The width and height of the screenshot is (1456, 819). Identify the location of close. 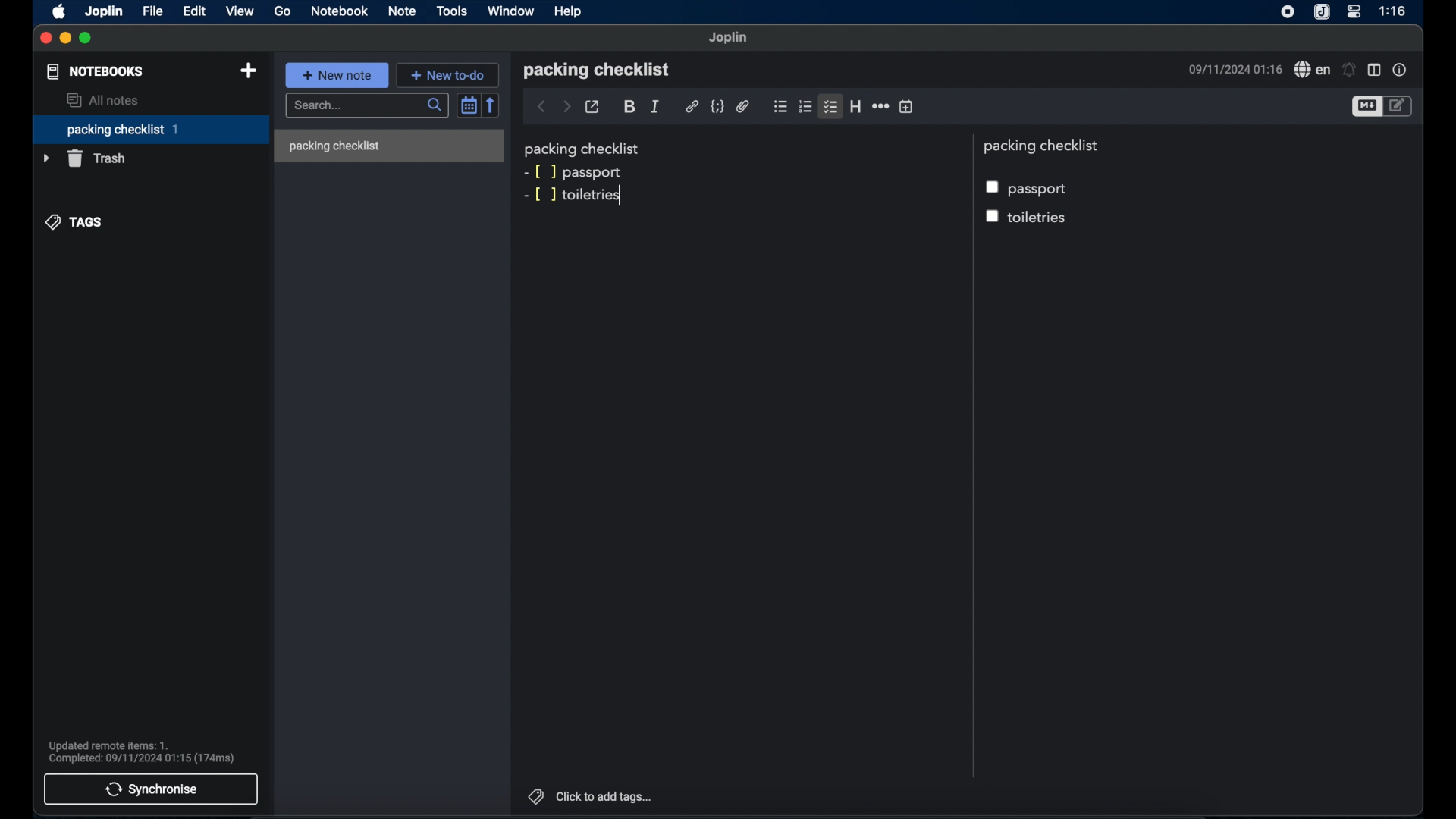
(45, 38).